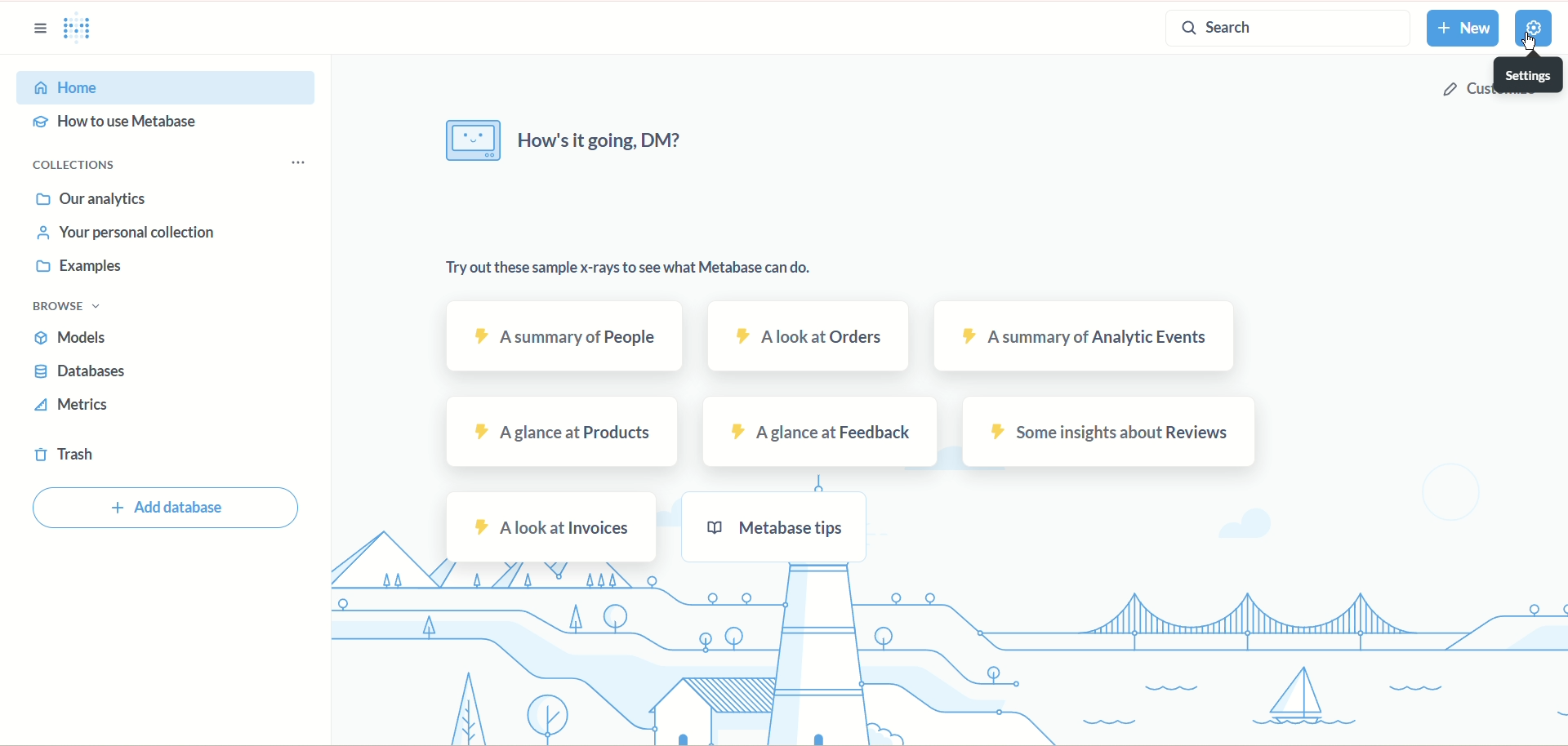 The width and height of the screenshot is (1568, 746). What do you see at coordinates (822, 435) in the screenshot?
I see `a glance at feedback` at bounding box center [822, 435].